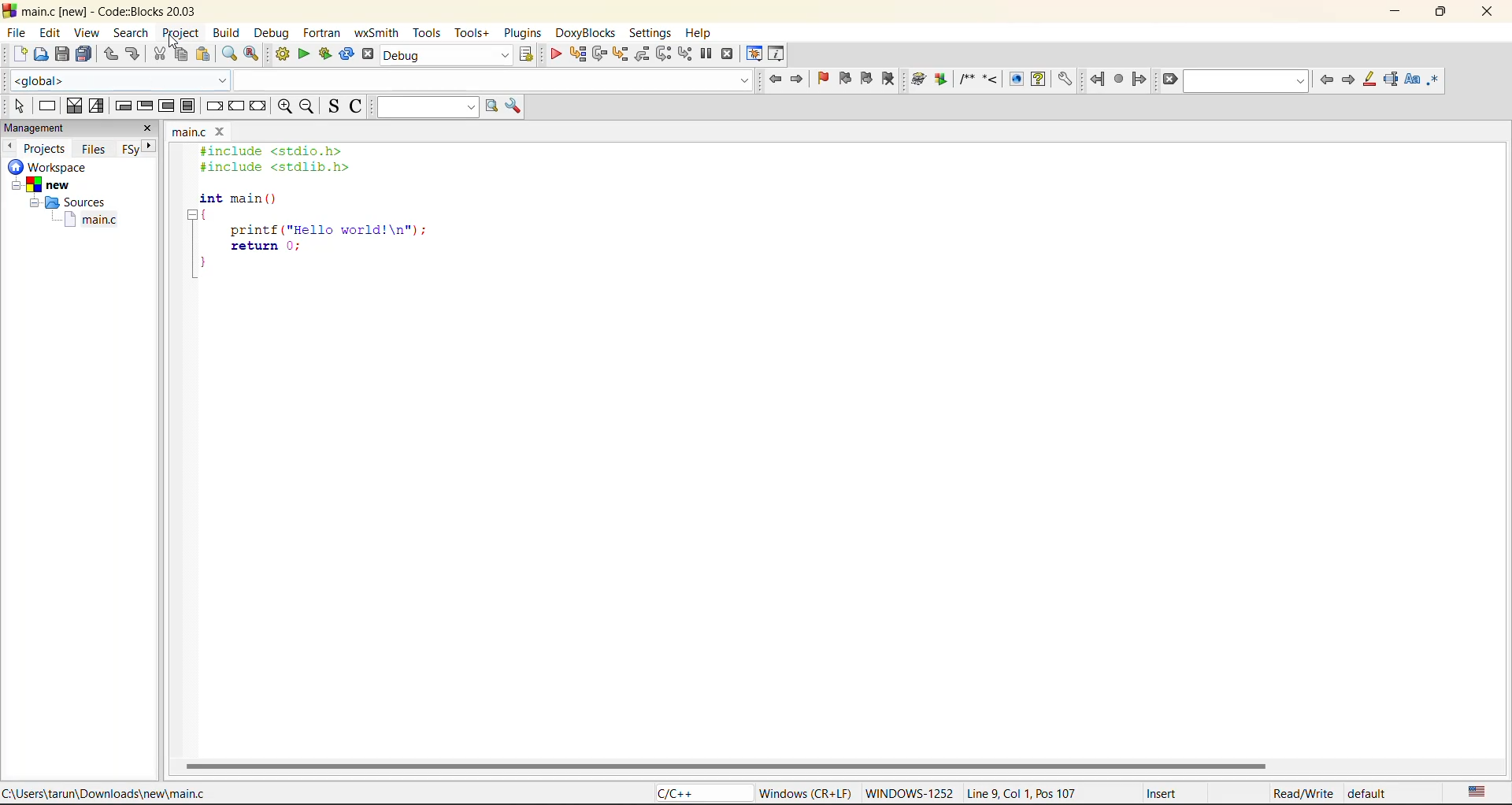 The image size is (1512, 805). I want to click on C:\Users\tarun\Downloads\new\main.c, so click(109, 794).